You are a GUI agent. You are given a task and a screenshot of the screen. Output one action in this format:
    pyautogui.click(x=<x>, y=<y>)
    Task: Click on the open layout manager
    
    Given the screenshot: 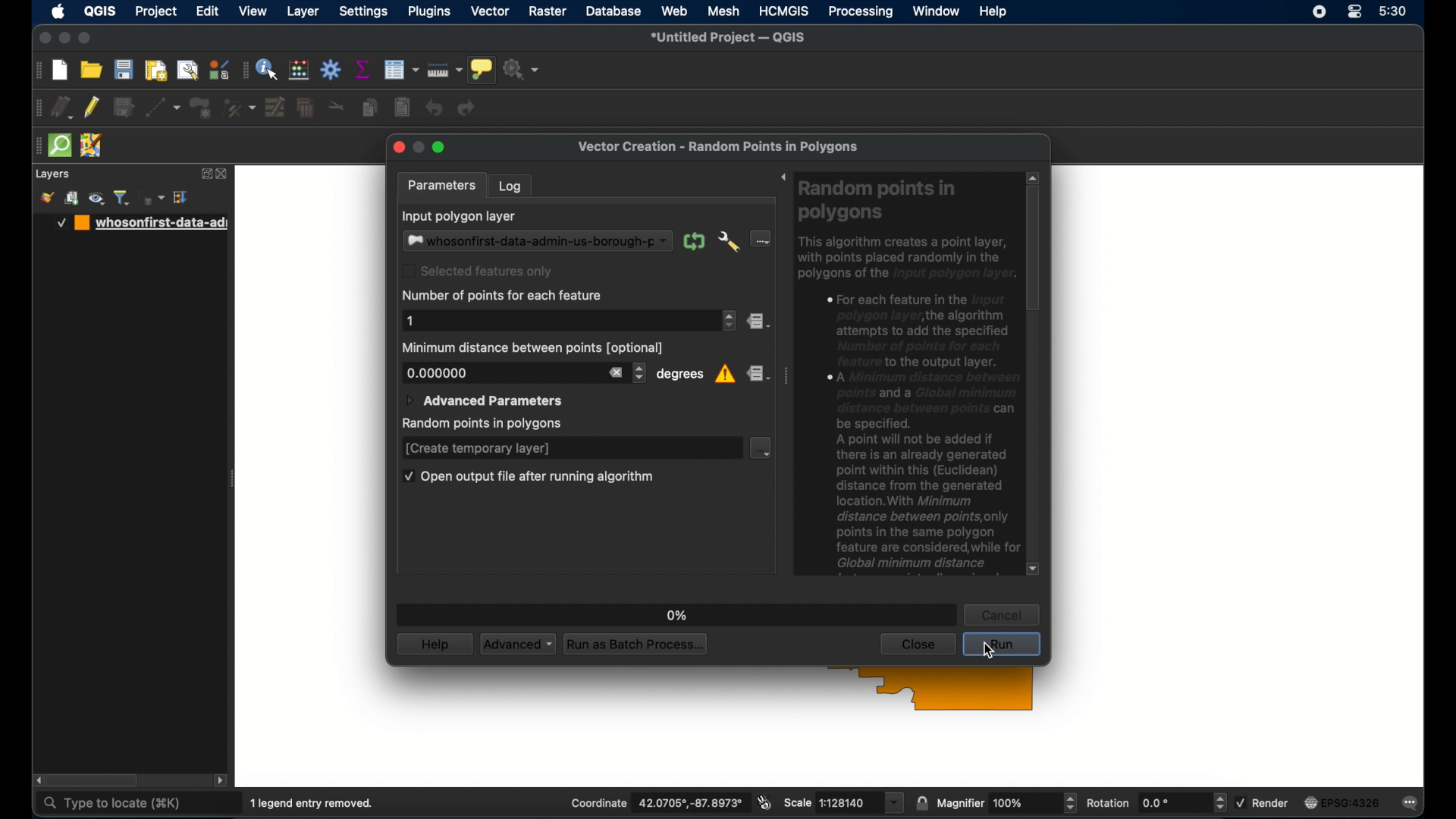 What is the action you would take?
    pyautogui.click(x=188, y=69)
    